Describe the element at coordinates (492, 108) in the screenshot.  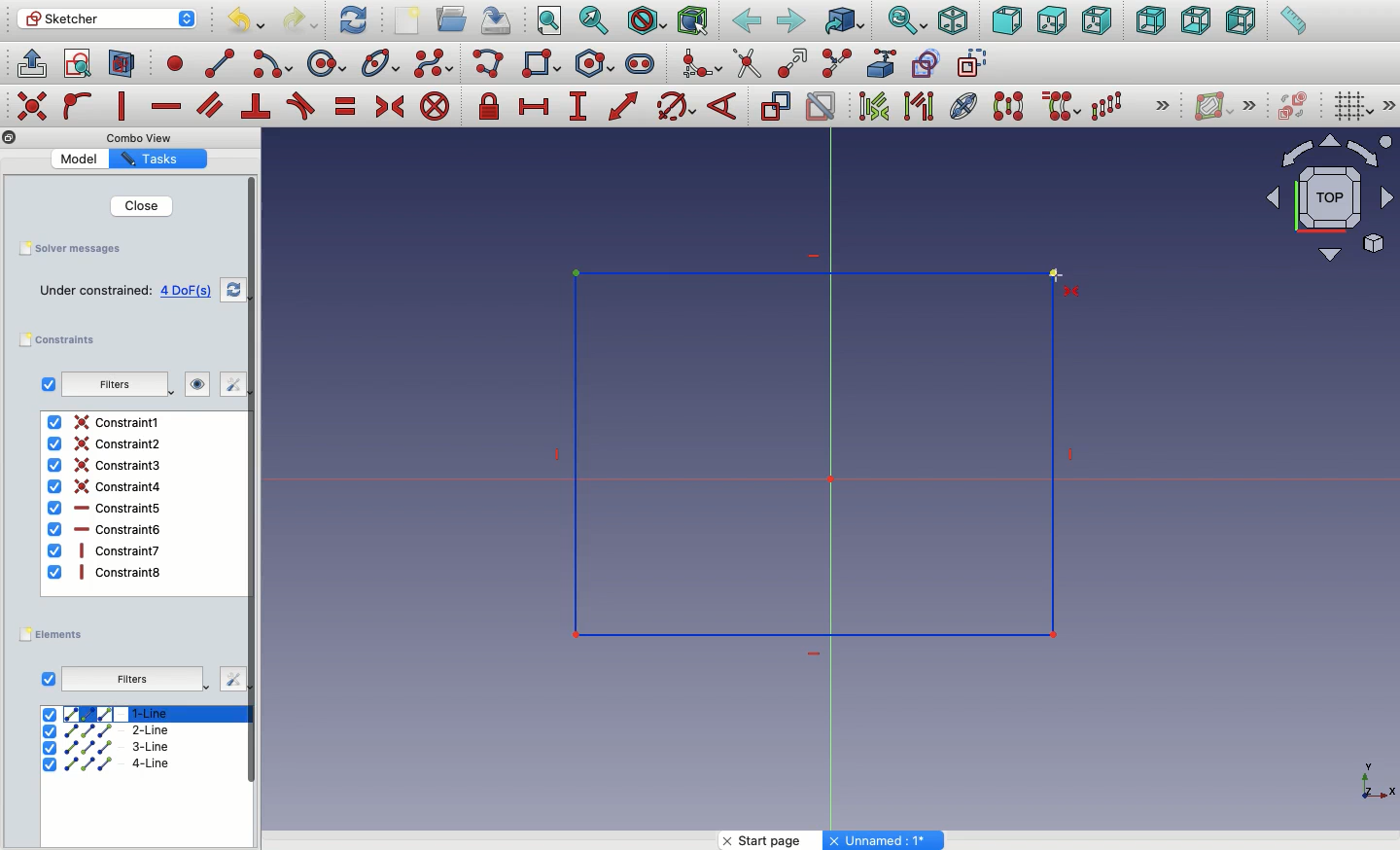
I see `constrain lock` at that location.